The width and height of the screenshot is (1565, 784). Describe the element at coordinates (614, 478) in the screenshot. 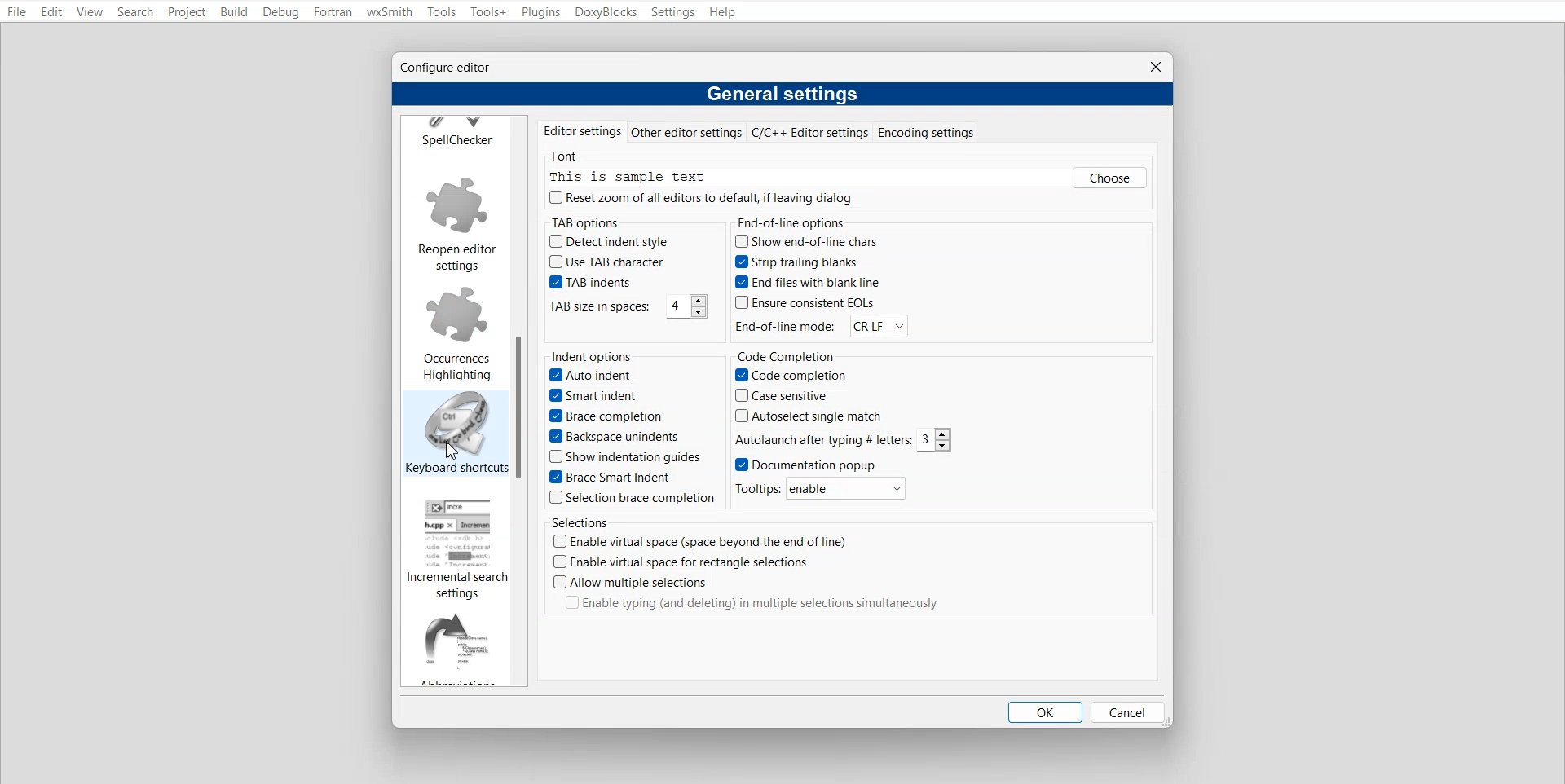

I see `Brace Smart Indent` at that location.